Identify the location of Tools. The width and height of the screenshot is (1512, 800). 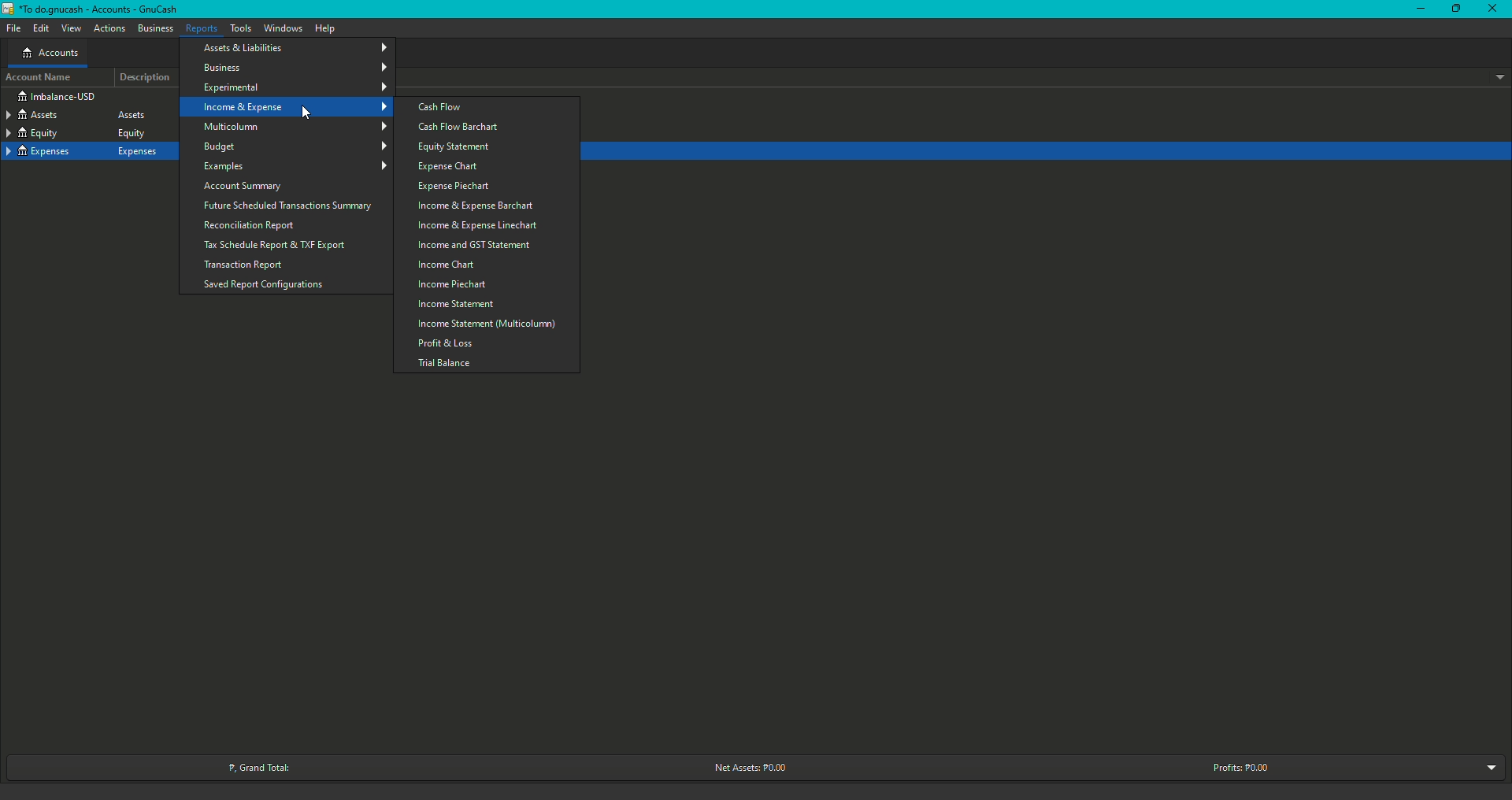
(241, 28).